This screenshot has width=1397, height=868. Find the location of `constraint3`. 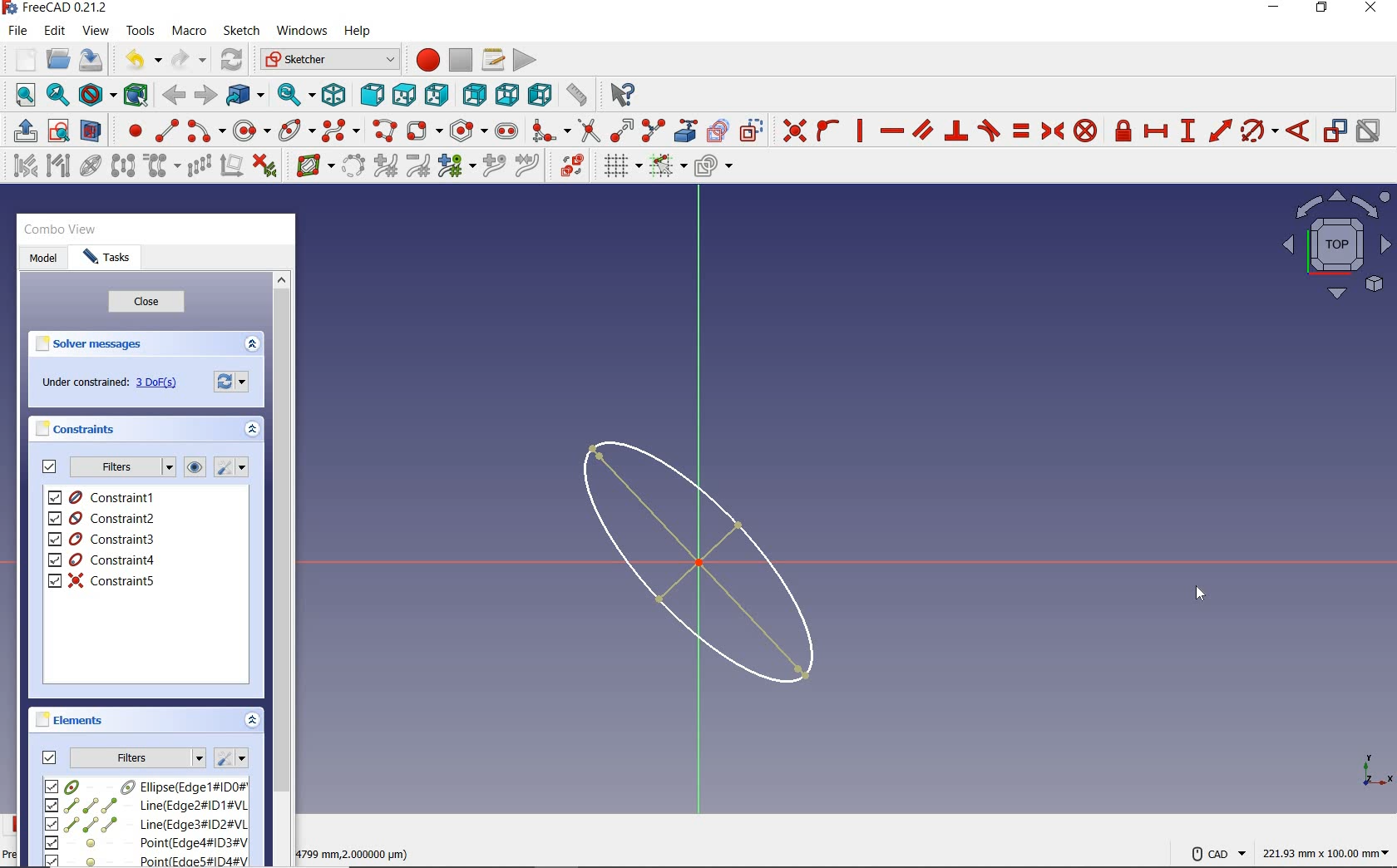

constraint3 is located at coordinates (103, 540).